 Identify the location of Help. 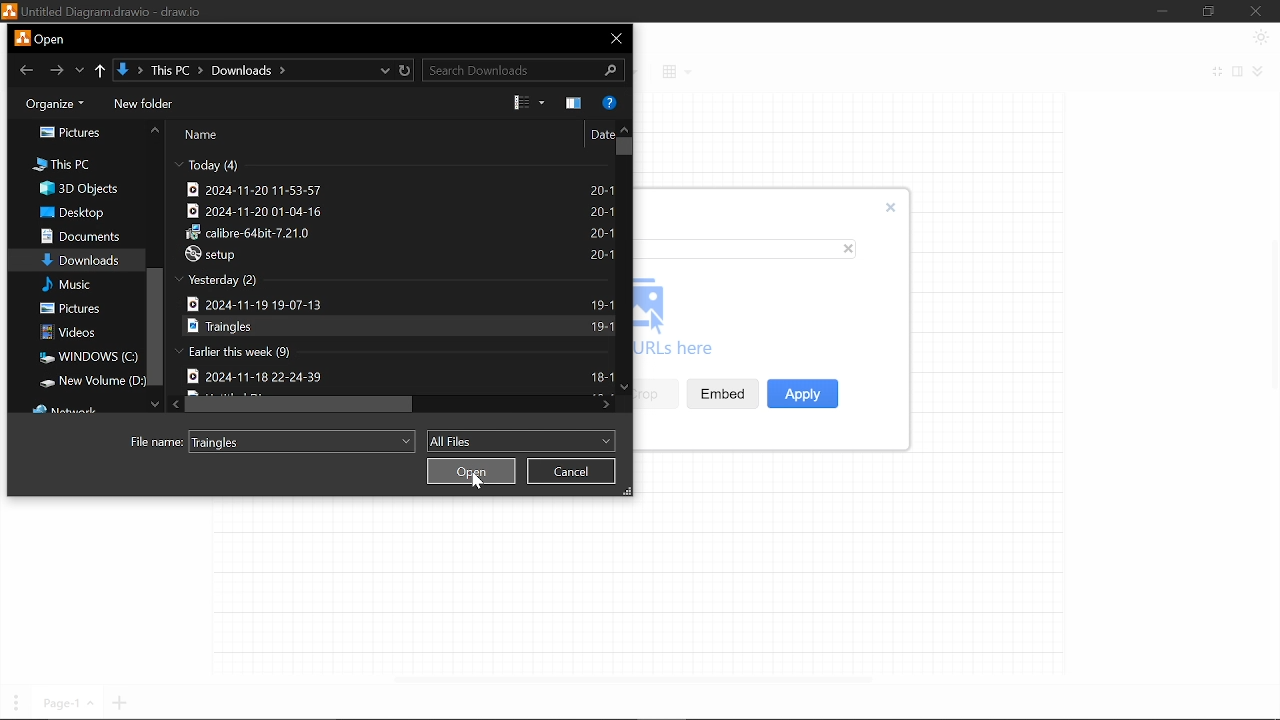
(609, 103).